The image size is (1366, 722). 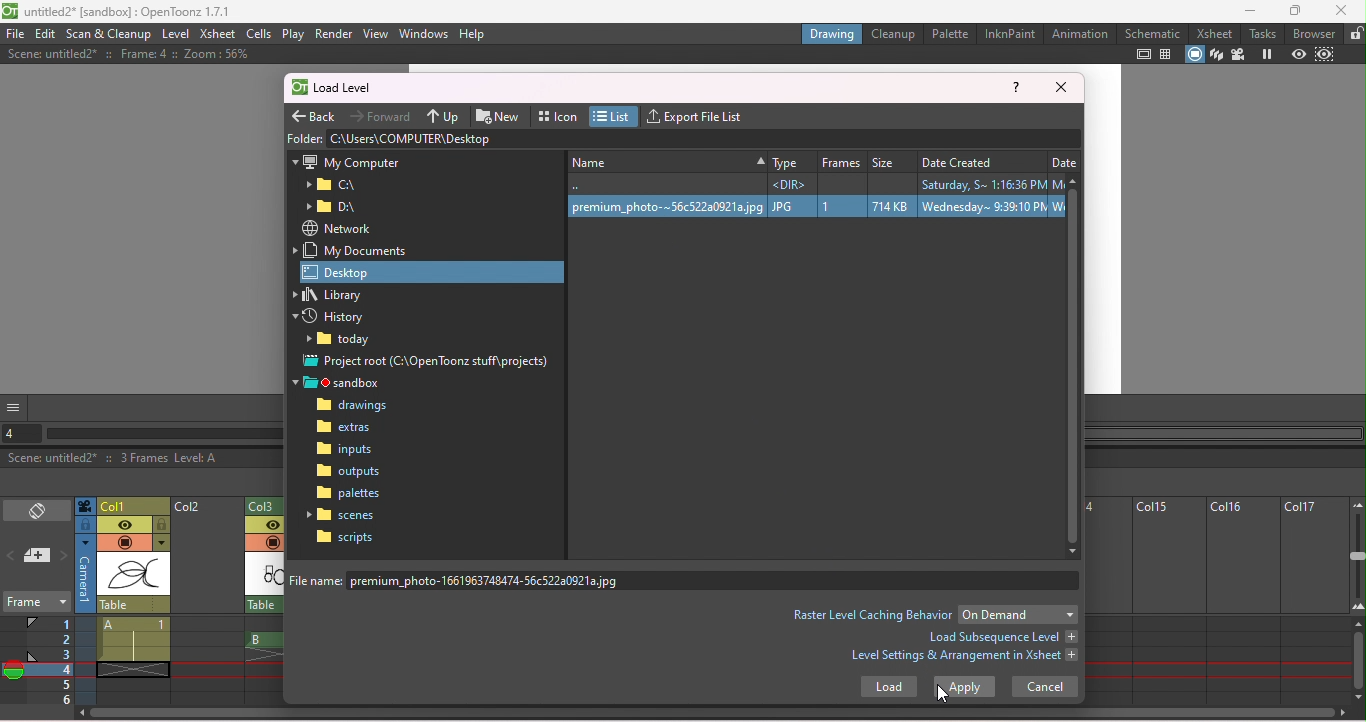 What do you see at coordinates (376, 33) in the screenshot?
I see `View` at bounding box center [376, 33].